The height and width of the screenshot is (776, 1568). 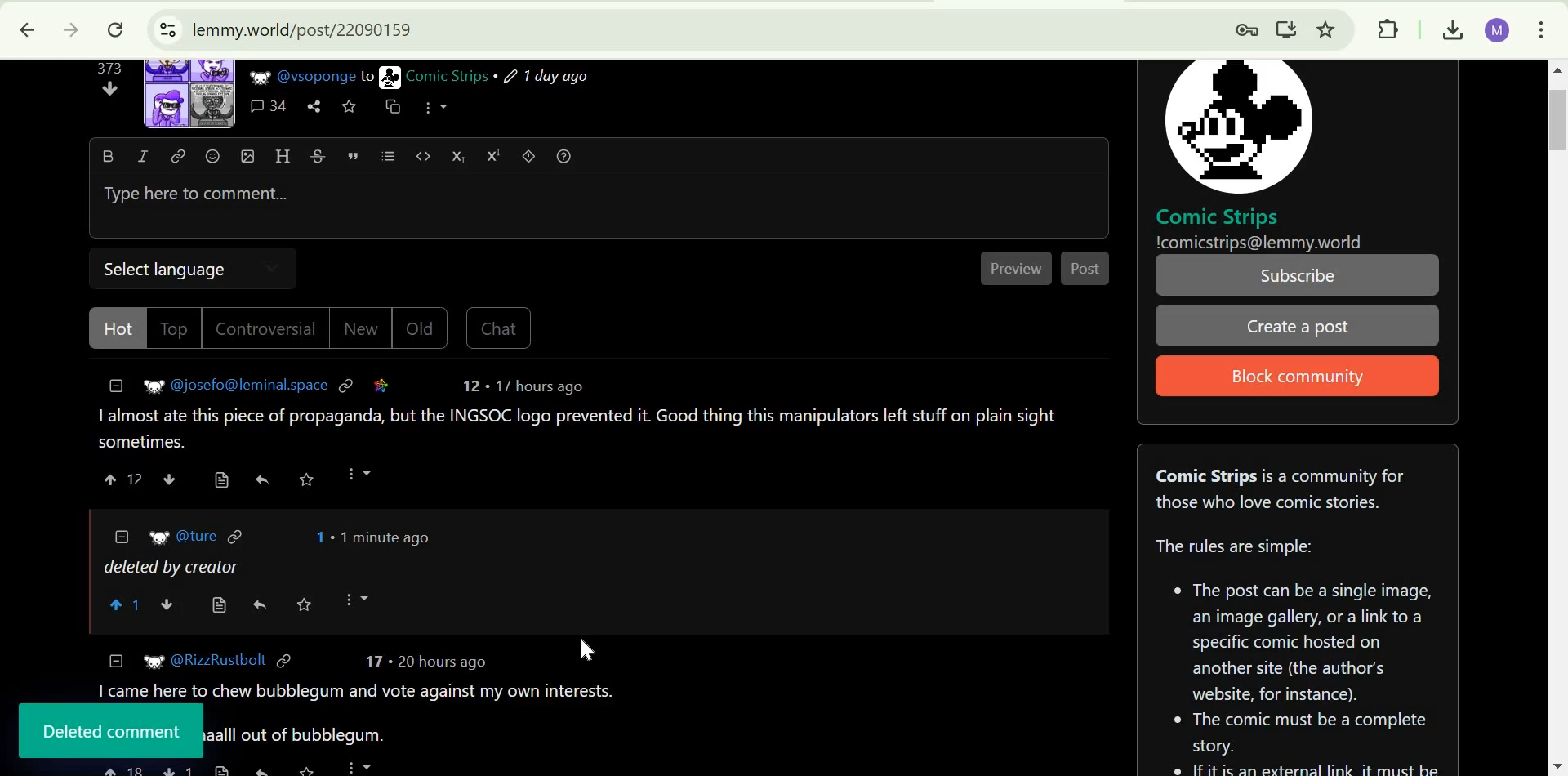 What do you see at coordinates (358, 474) in the screenshot?
I see `more options` at bounding box center [358, 474].